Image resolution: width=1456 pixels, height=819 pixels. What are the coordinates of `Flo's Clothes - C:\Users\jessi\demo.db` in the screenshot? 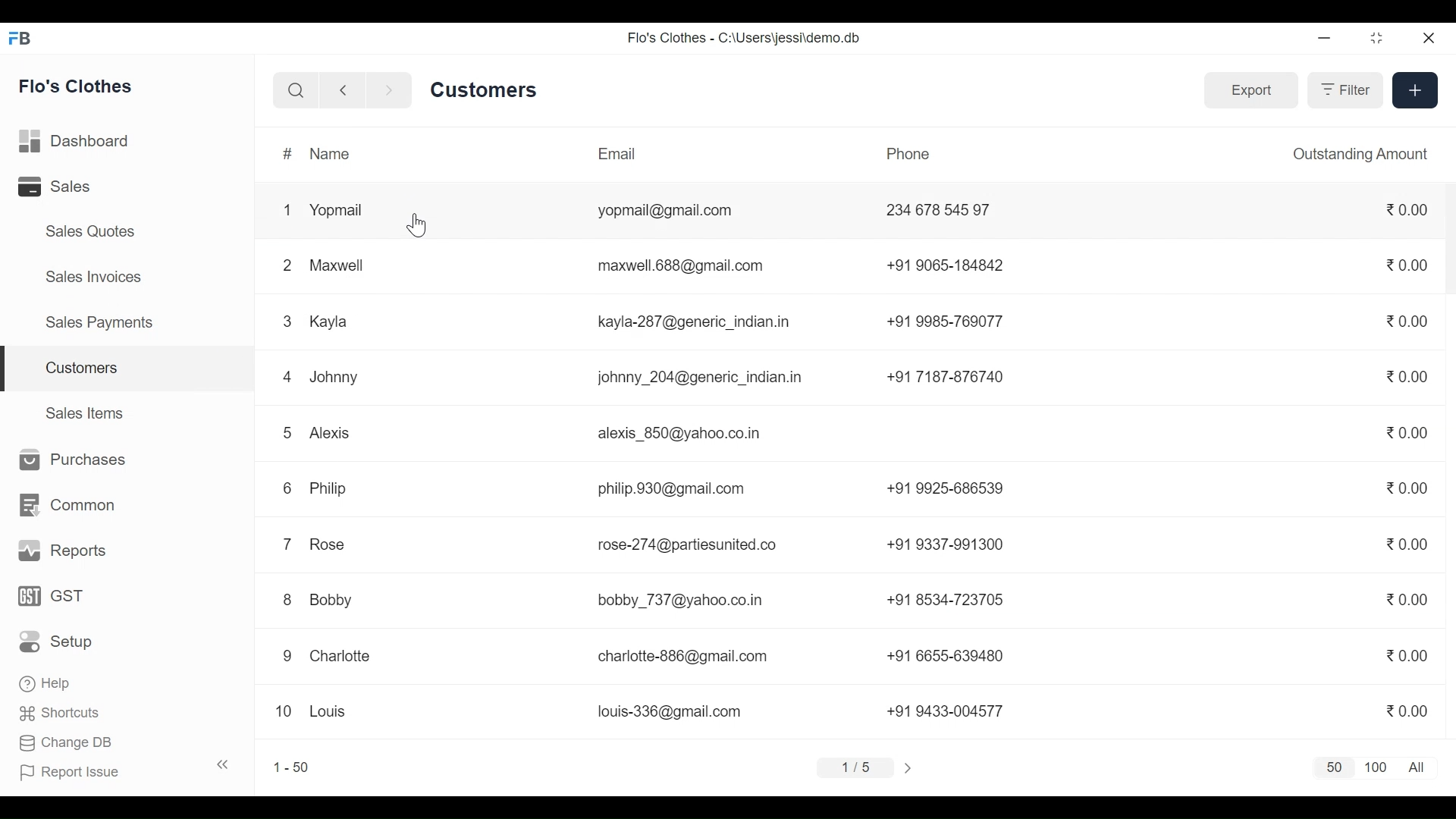 It's located at (746, 39).